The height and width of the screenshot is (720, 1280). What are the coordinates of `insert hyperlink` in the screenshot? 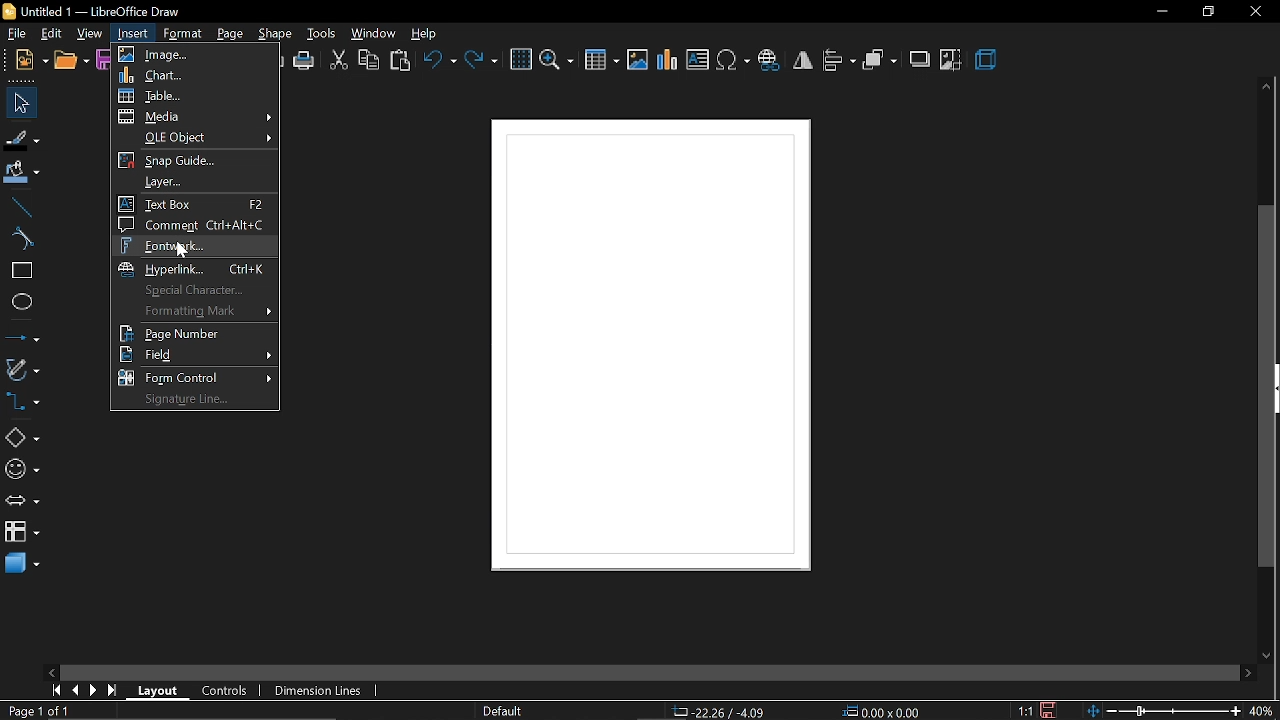 It's located at (770, 59).